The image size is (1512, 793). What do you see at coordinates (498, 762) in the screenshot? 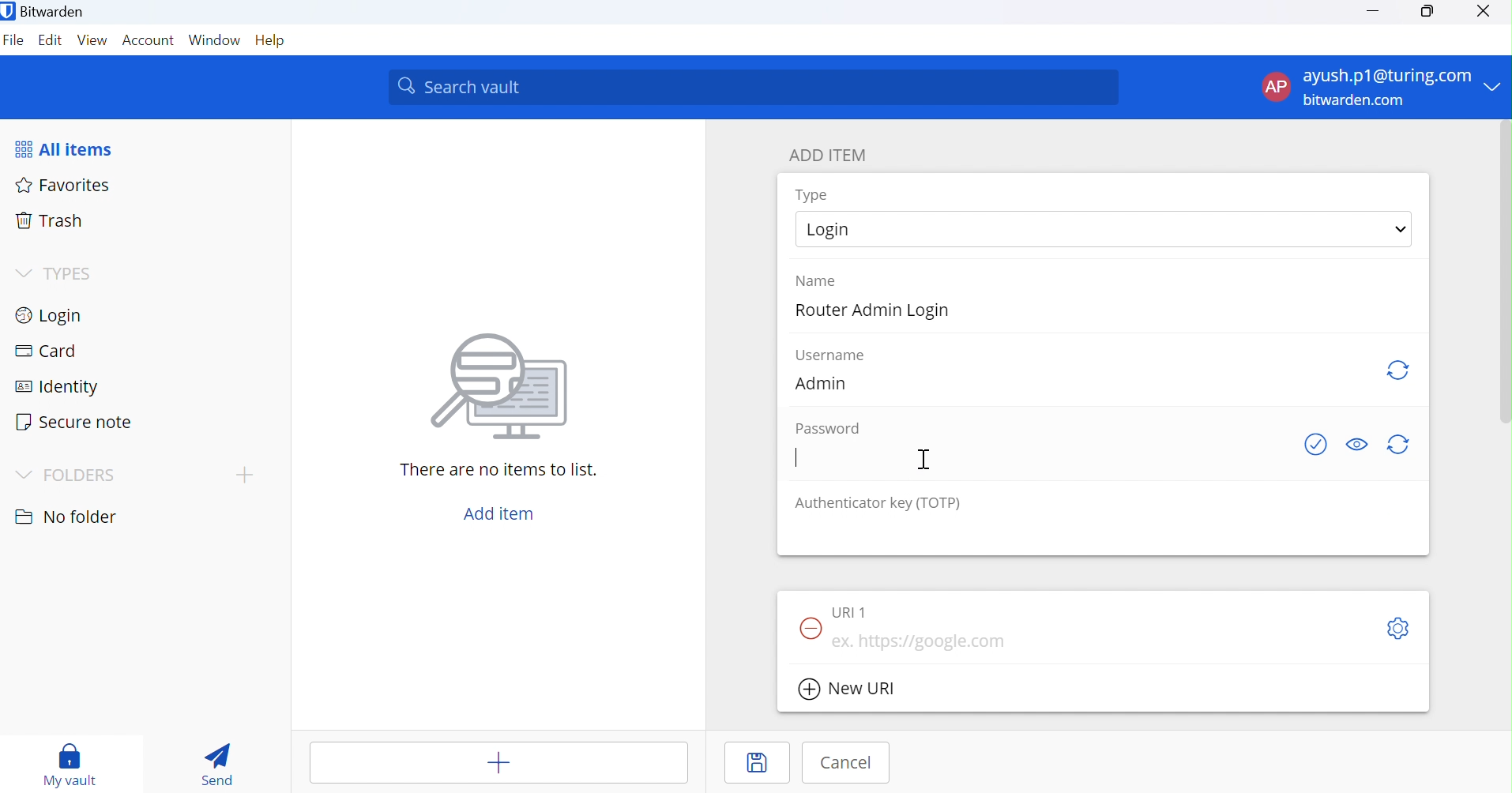
I see `add items` at bounding box center [498, 762].